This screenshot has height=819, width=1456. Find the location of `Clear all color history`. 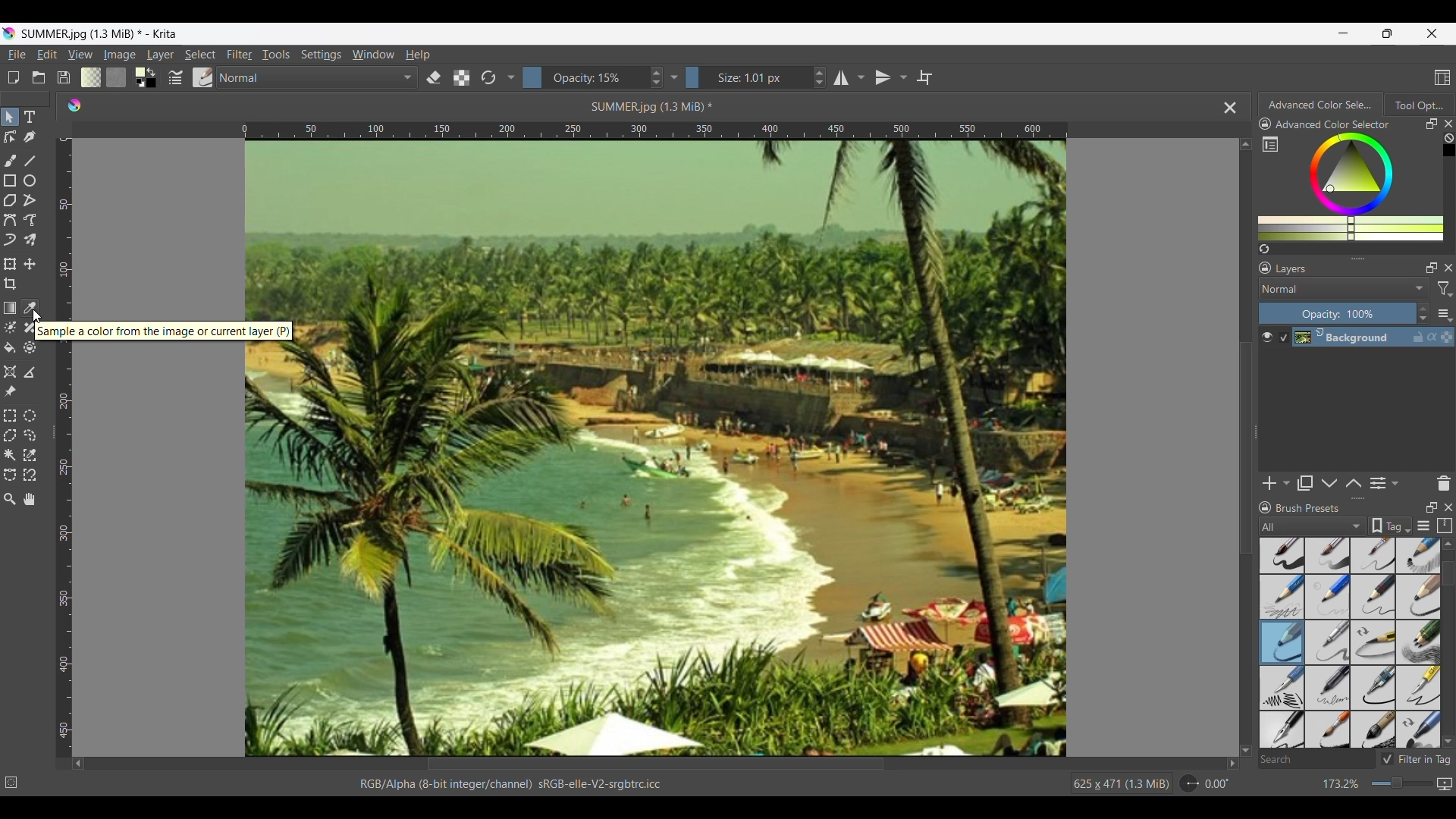

Clear all color history is located at coordinates (1448, 138).